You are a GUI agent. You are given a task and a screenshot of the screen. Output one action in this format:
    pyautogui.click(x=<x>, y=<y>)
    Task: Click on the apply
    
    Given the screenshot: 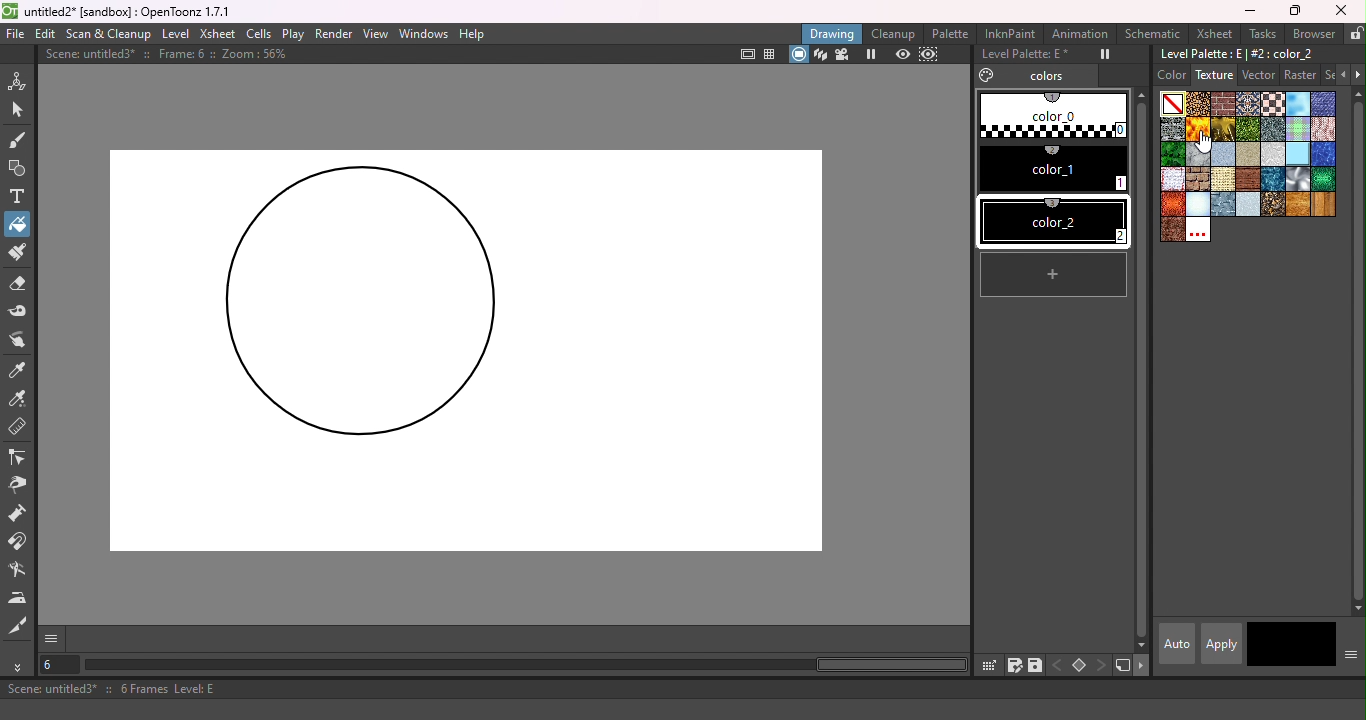 What is the action you would take?
    pyautogui.click(x=1221, y=644)
    